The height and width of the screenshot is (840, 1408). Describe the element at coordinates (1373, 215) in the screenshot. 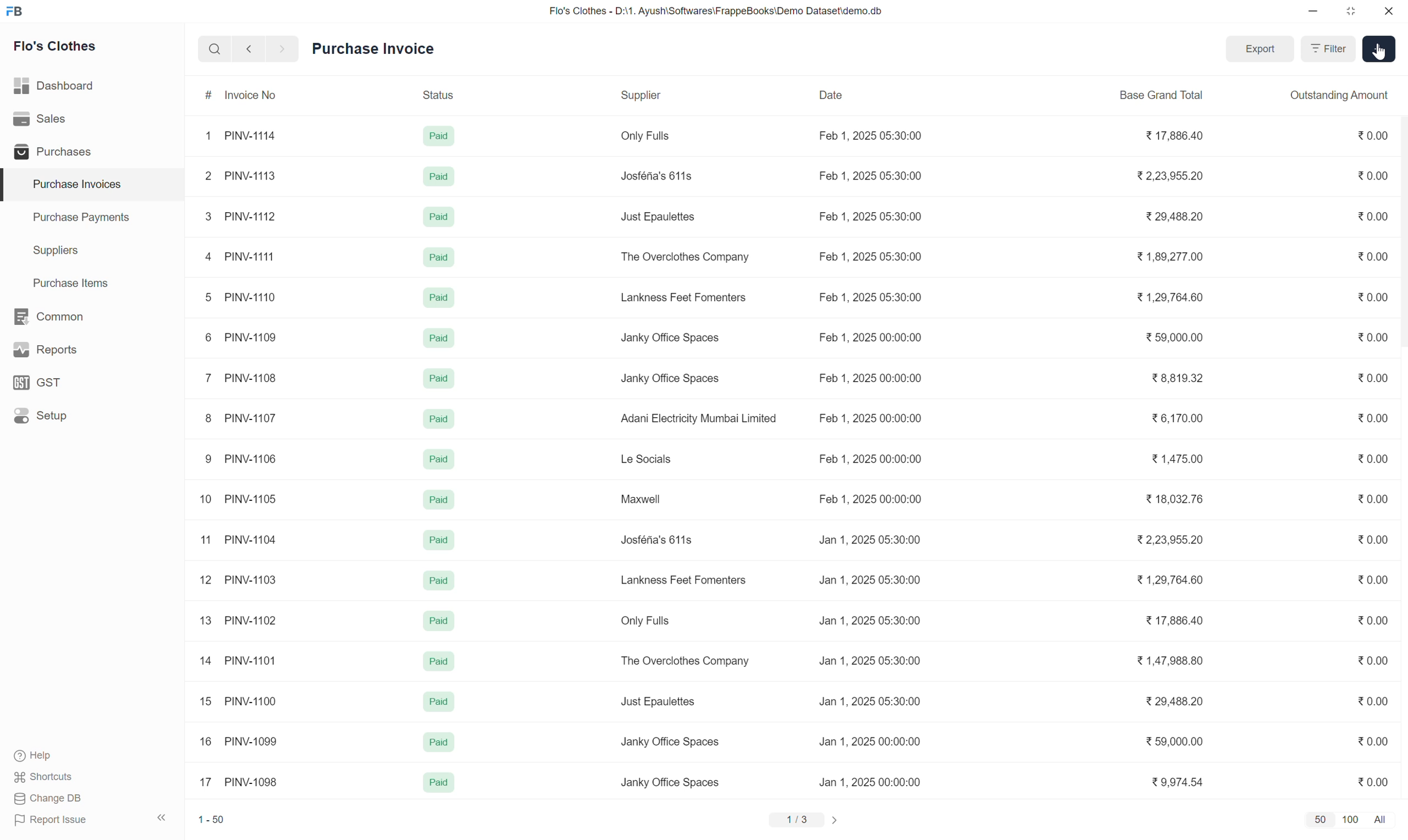

I see `0.00` at that location.